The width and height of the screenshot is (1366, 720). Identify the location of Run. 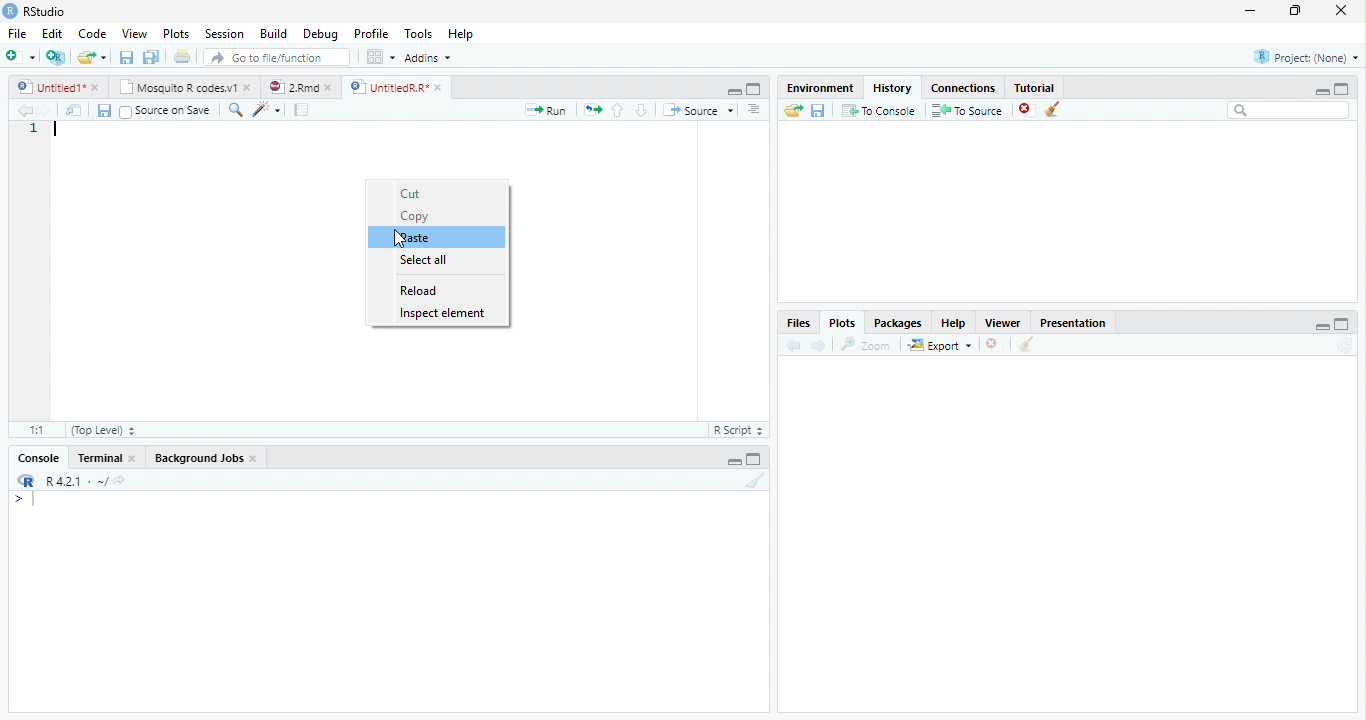
(543, 111).